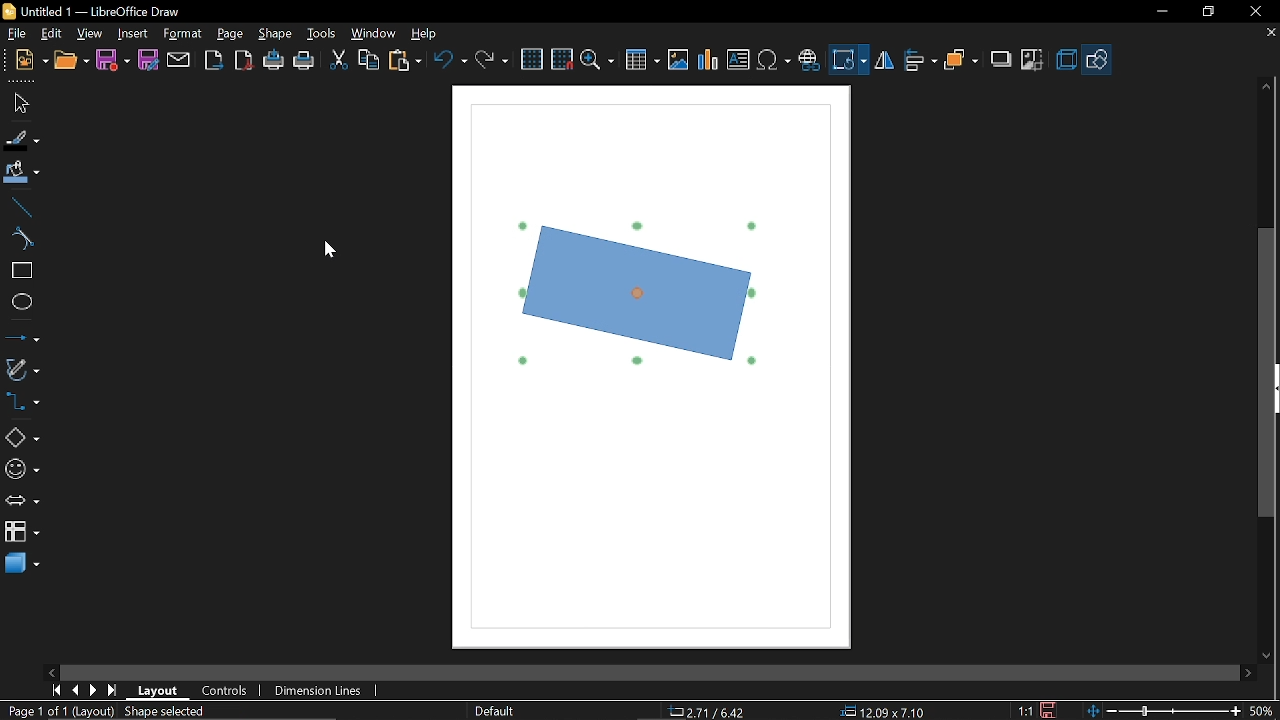 This screenshot has width=1280, height=720. Describe the element at coordinates (21, 534) in the screenshot. I see `flowchart` at that location.